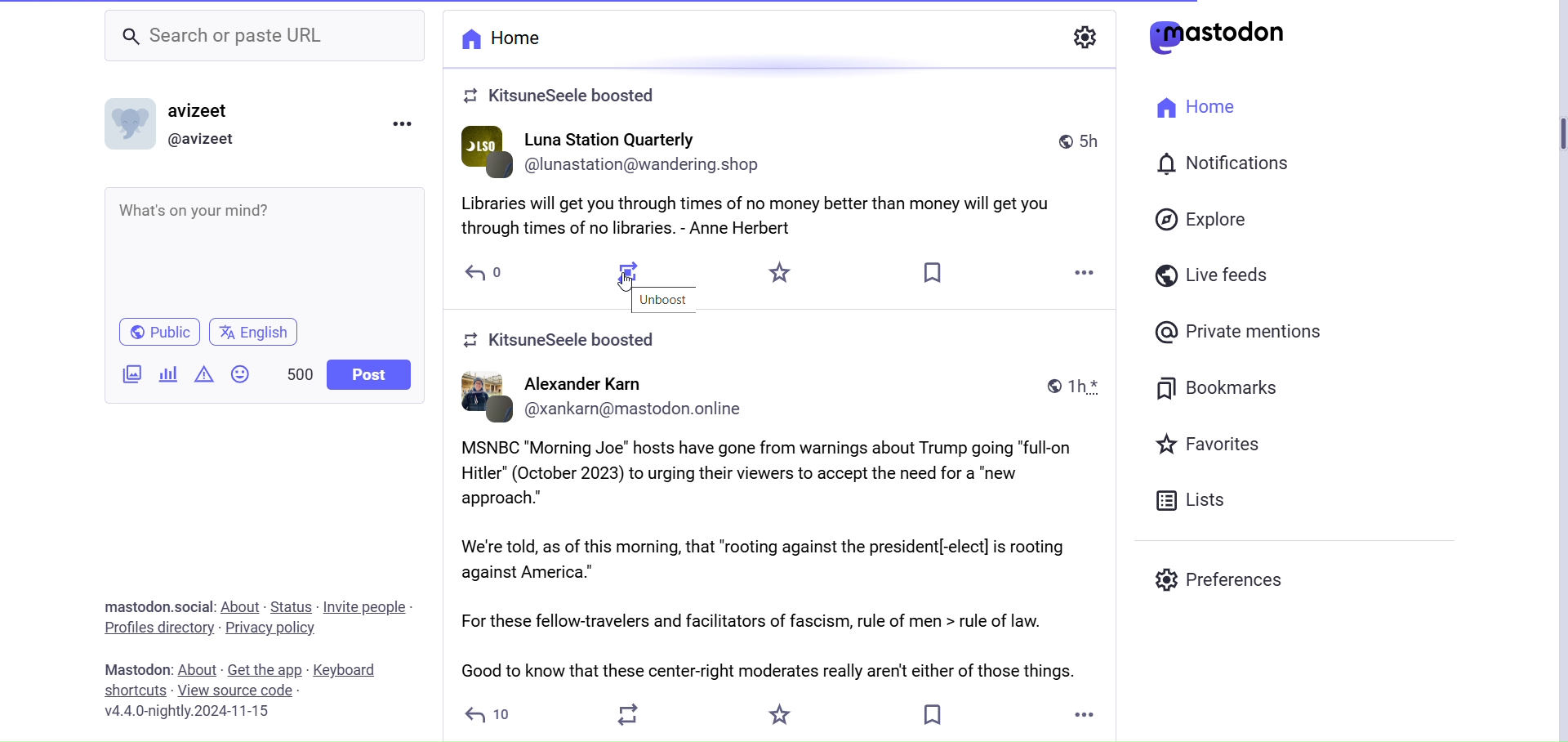  I want to click on Boost, so click(632, 714).